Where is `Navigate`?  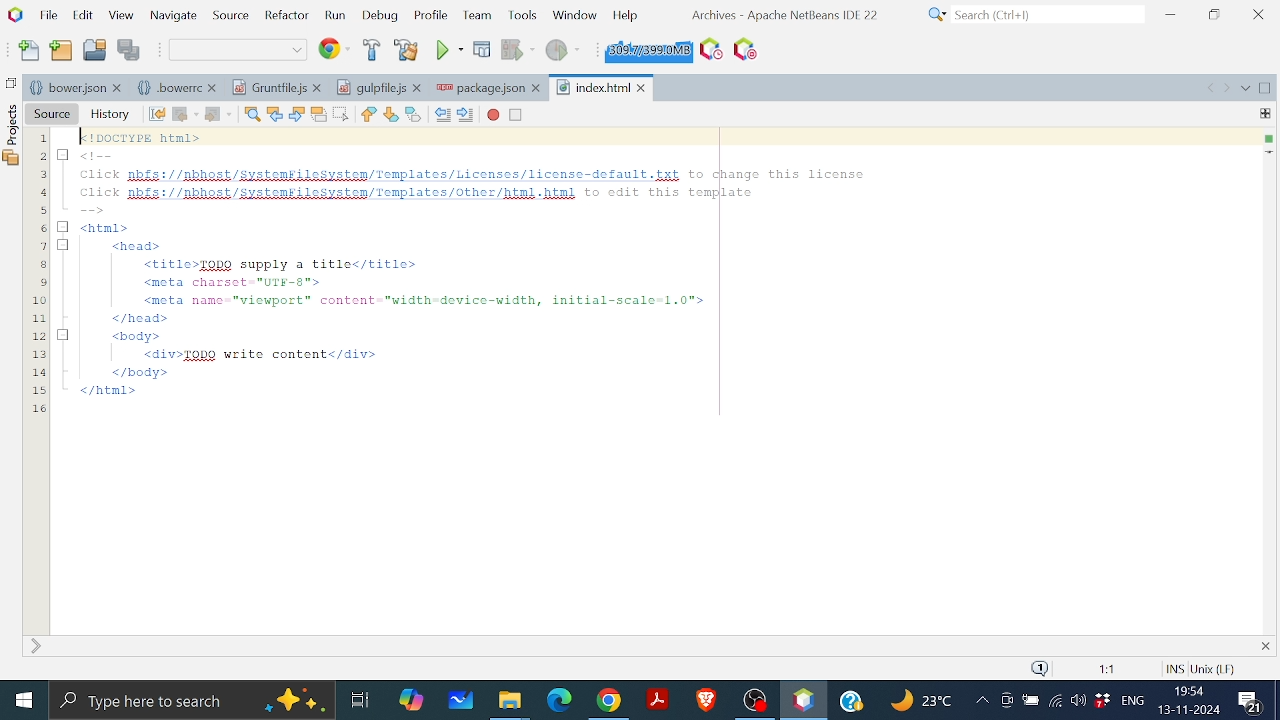 Navigate is located at coordinates (174, 19).